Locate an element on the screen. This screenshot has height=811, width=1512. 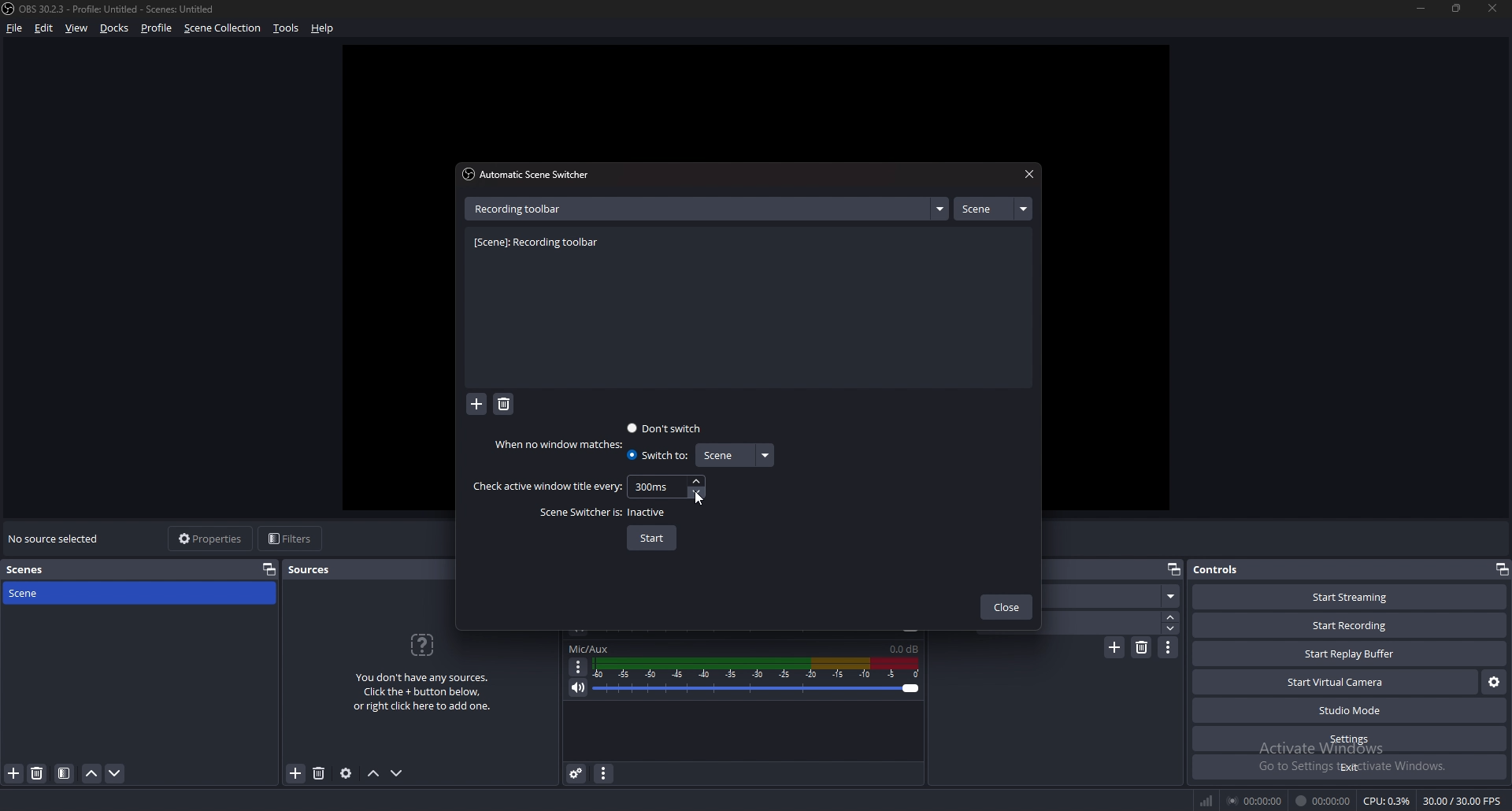
check active window title every is located at coordinates (547, 487).